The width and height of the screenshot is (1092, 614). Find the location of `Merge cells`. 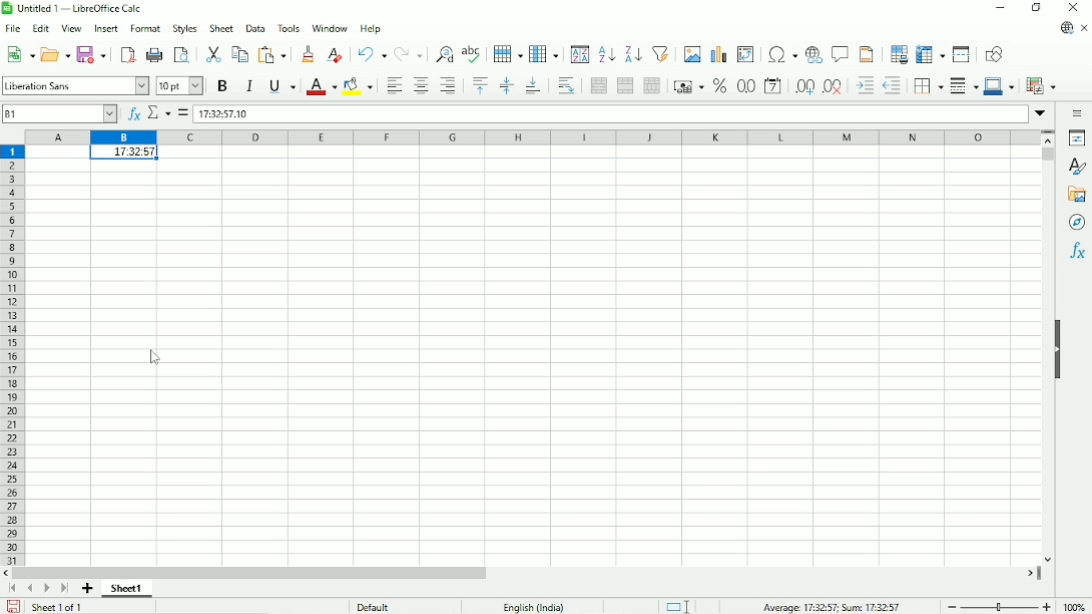

Merge cells is located at coordinates (625, 85).